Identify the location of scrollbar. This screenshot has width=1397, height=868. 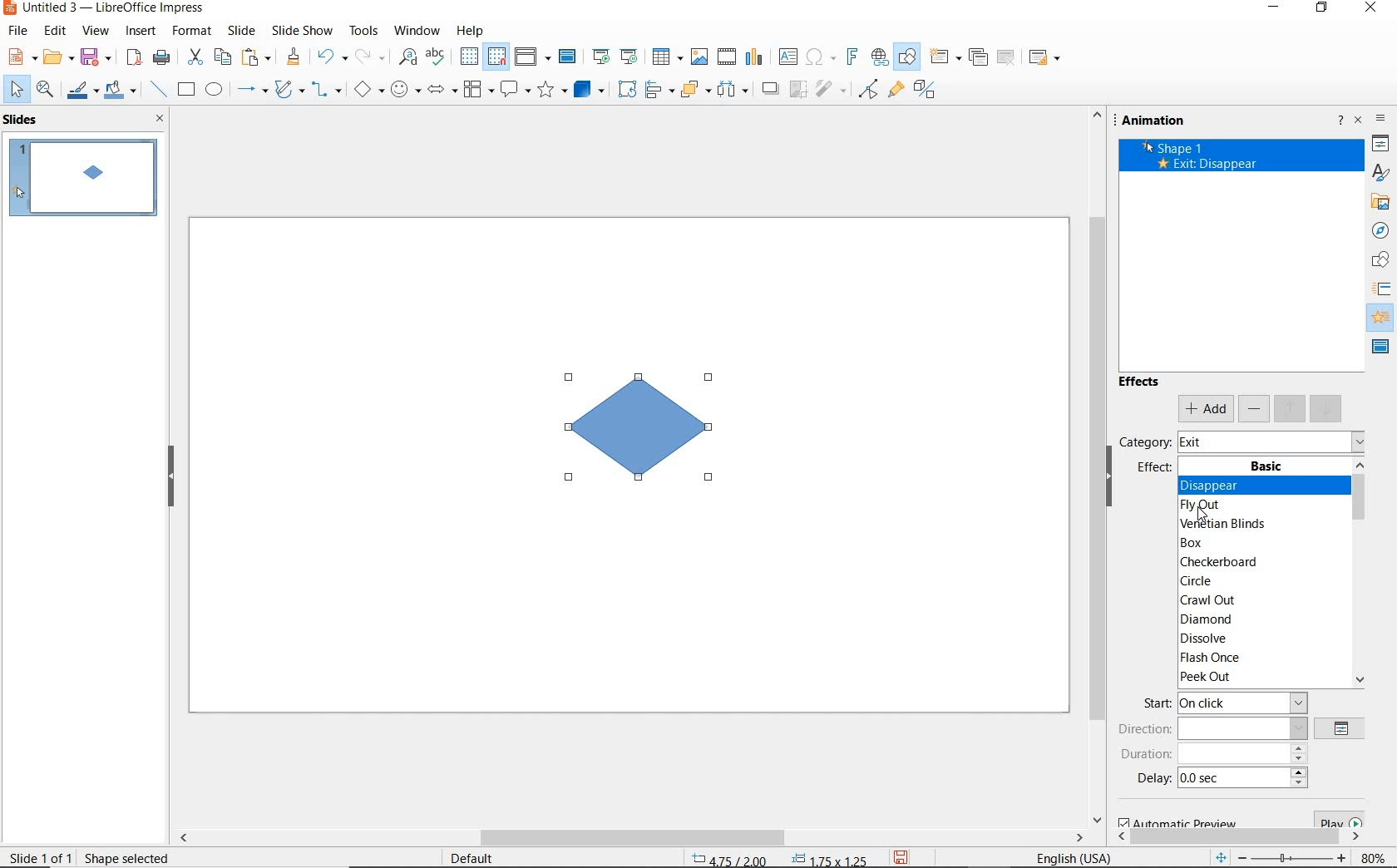
(1090, 466).